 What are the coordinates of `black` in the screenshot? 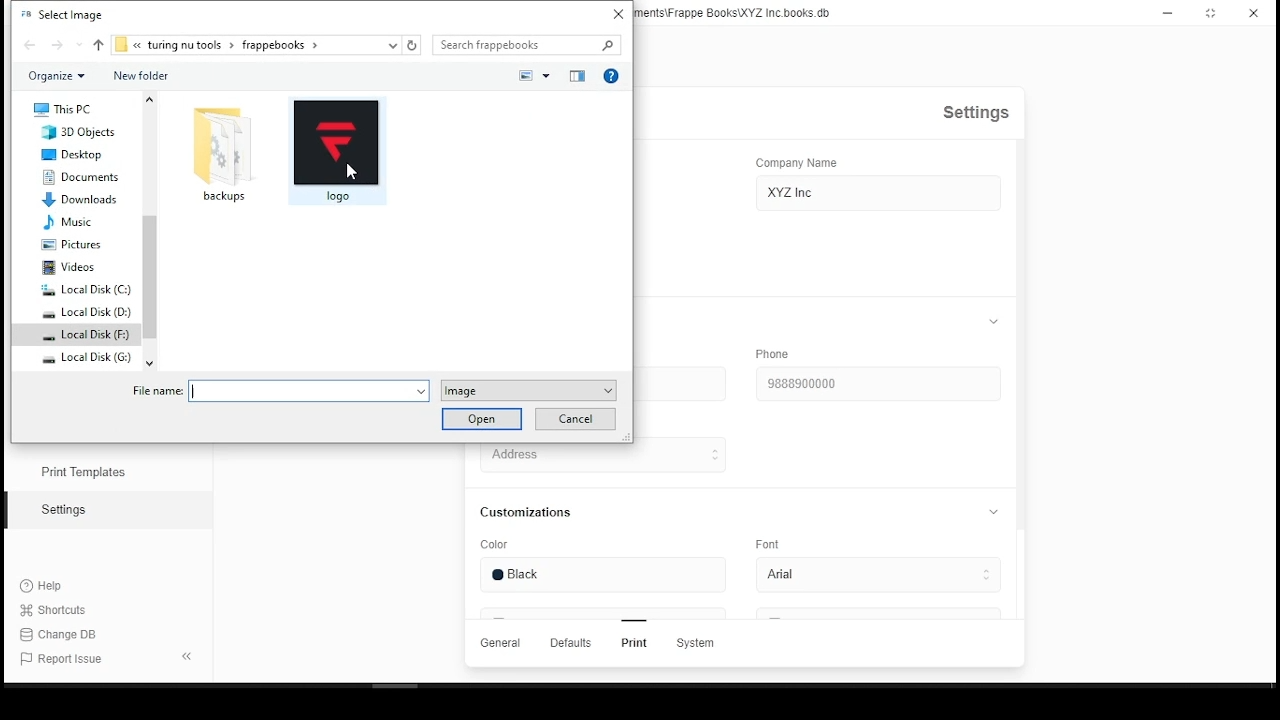 It's located at (533, 575).